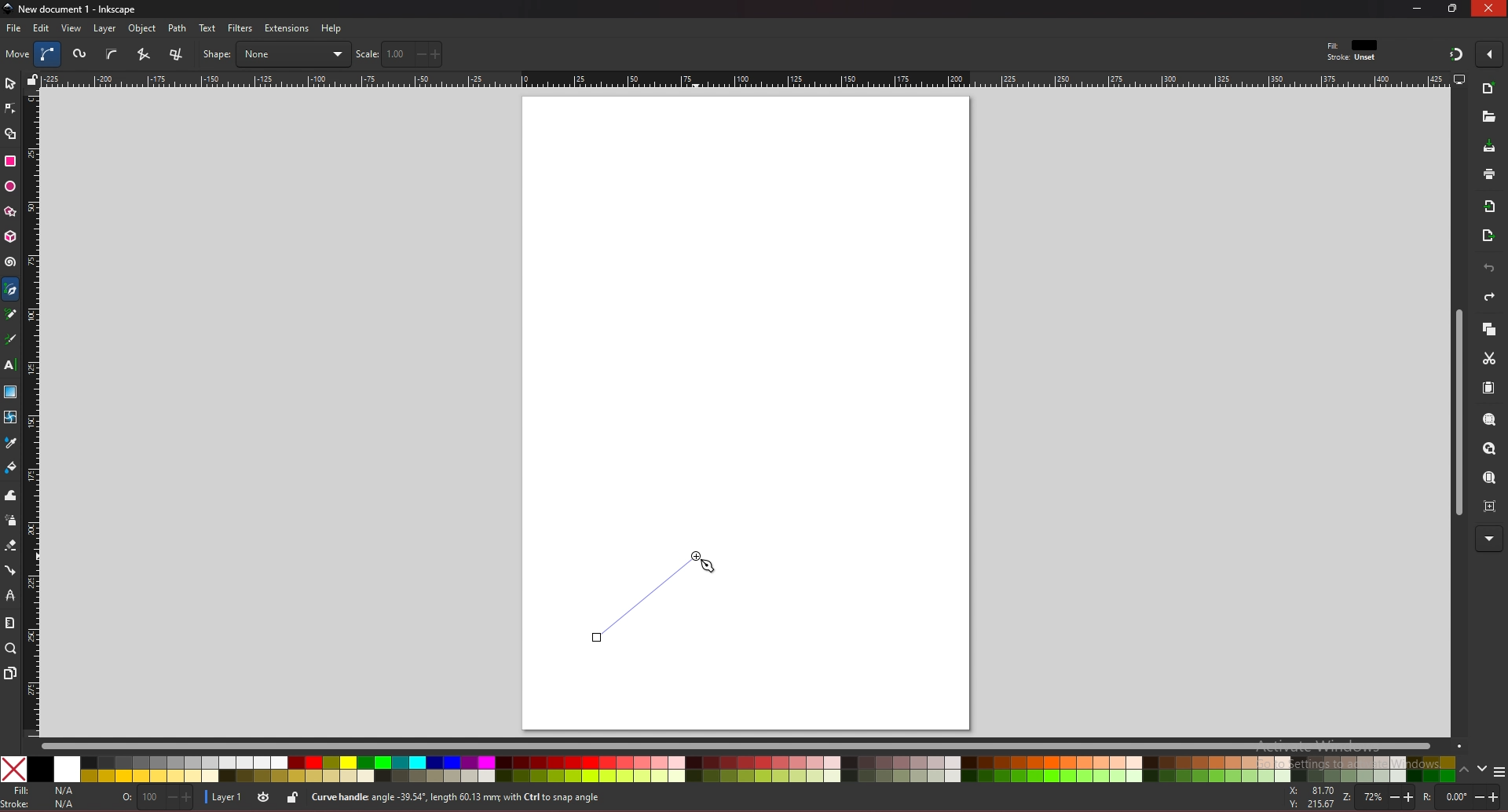 Image resolution: width=1508 pixels, height=812 pixels. Describe the element at coordinates (9, 365) in the screenshot. I see `text` at that location.